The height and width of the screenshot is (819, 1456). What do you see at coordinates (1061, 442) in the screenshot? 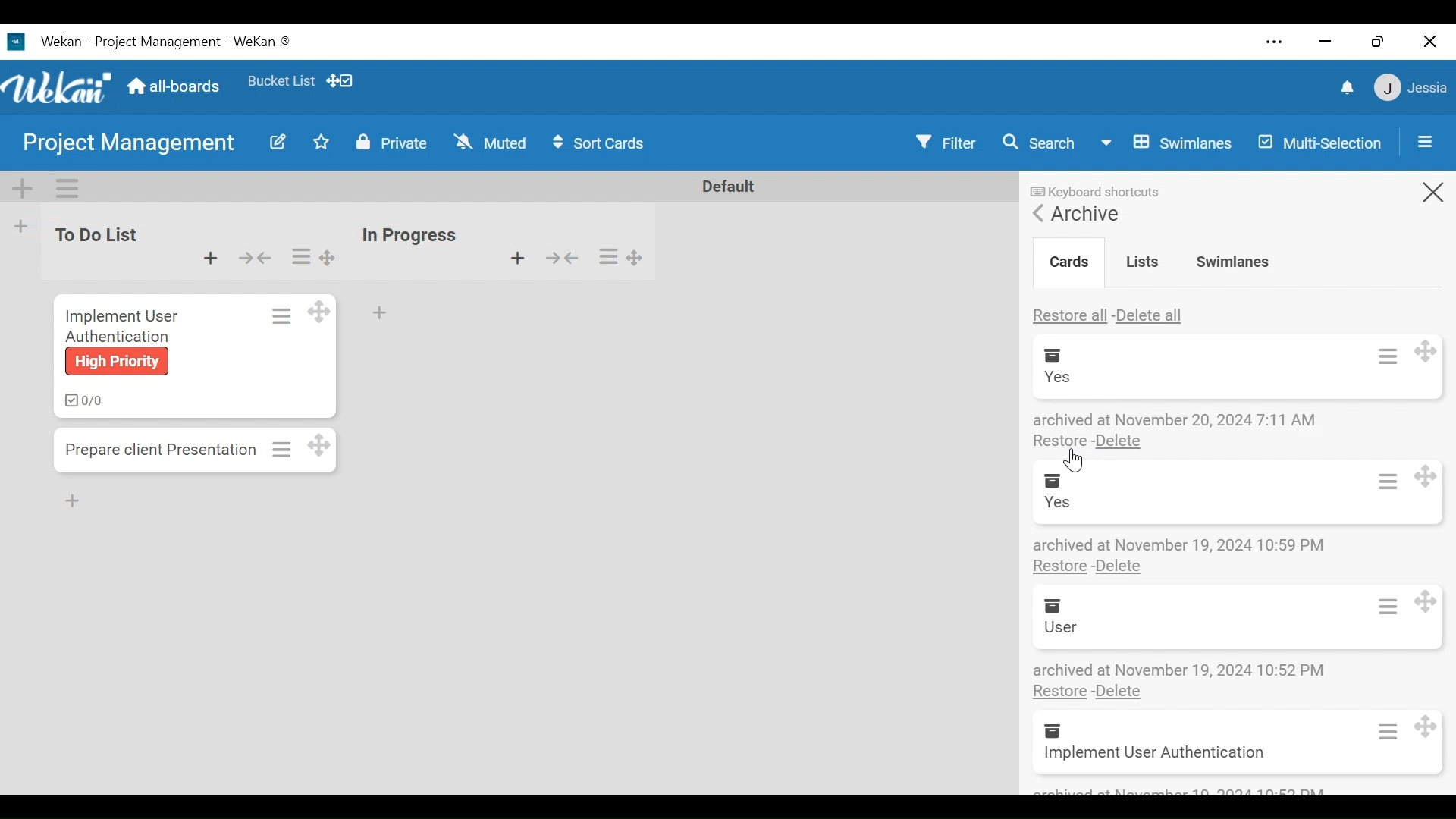
I see `restore` at bounding box center [1061, 442].